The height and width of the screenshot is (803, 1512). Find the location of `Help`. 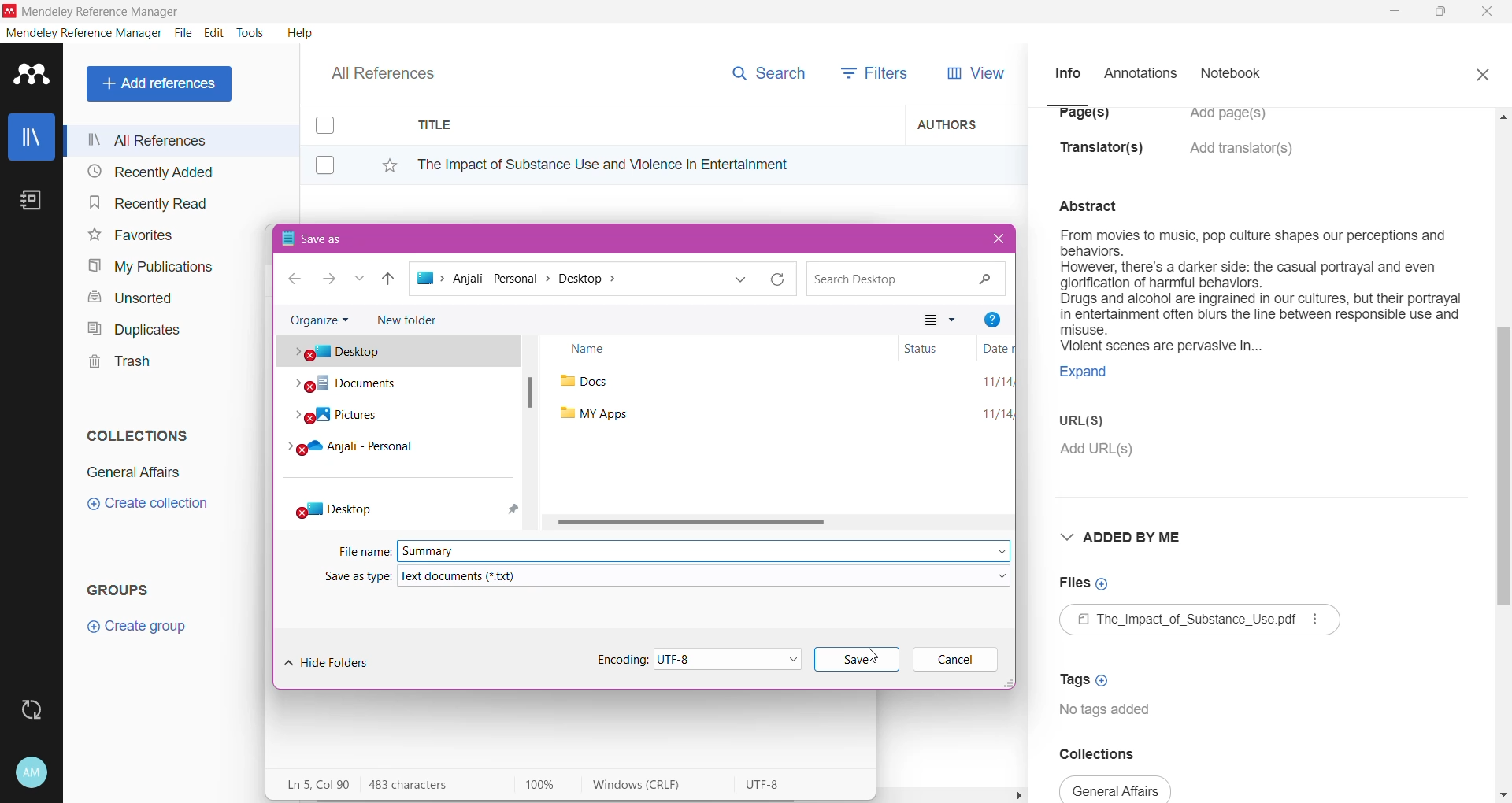

Help is located at coordinates (991, 317).